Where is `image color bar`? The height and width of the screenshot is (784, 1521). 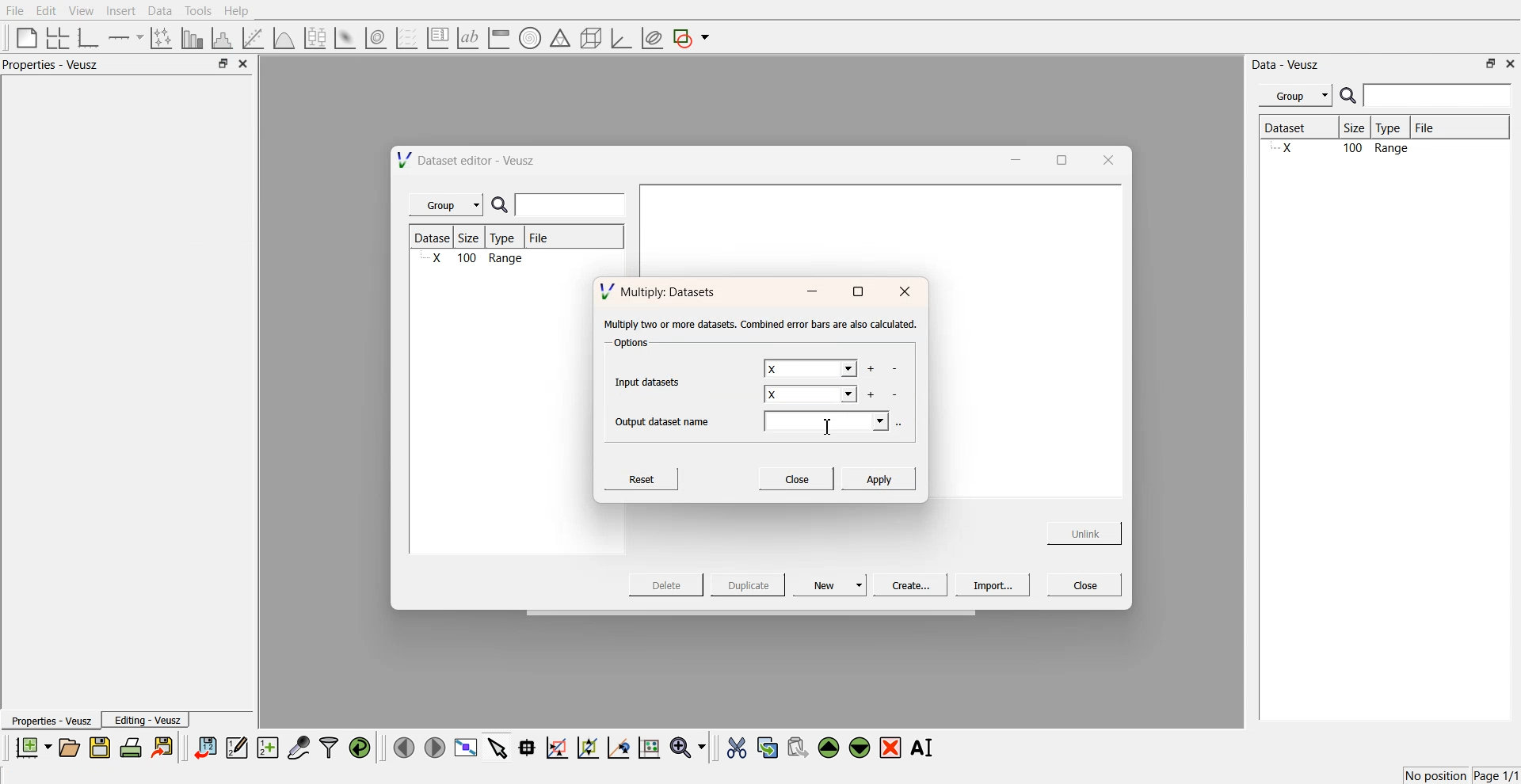
image color bar is located at coordinates (498, 39).